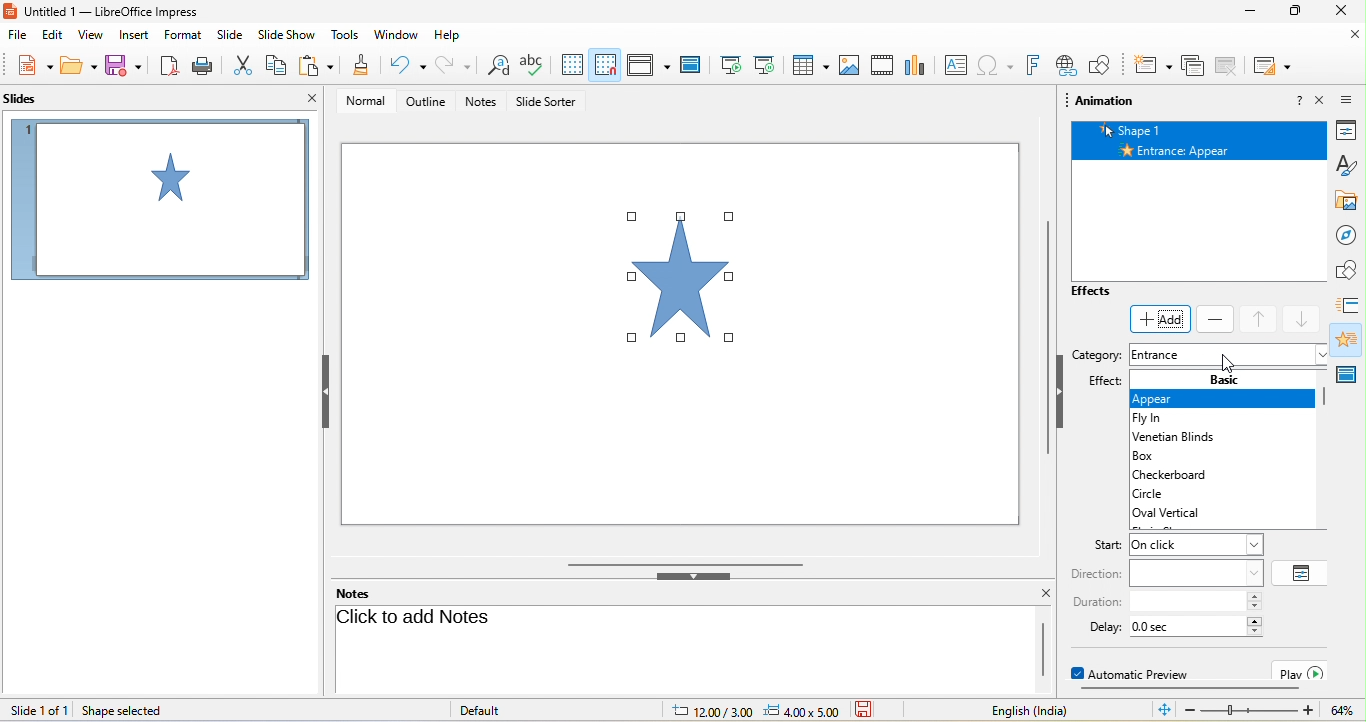 This screenshot has height=722, width=1366. What do you see at coordinates (1350, 370) in the screenshot?
I see `master slide` at bounding box center [1350, 370].